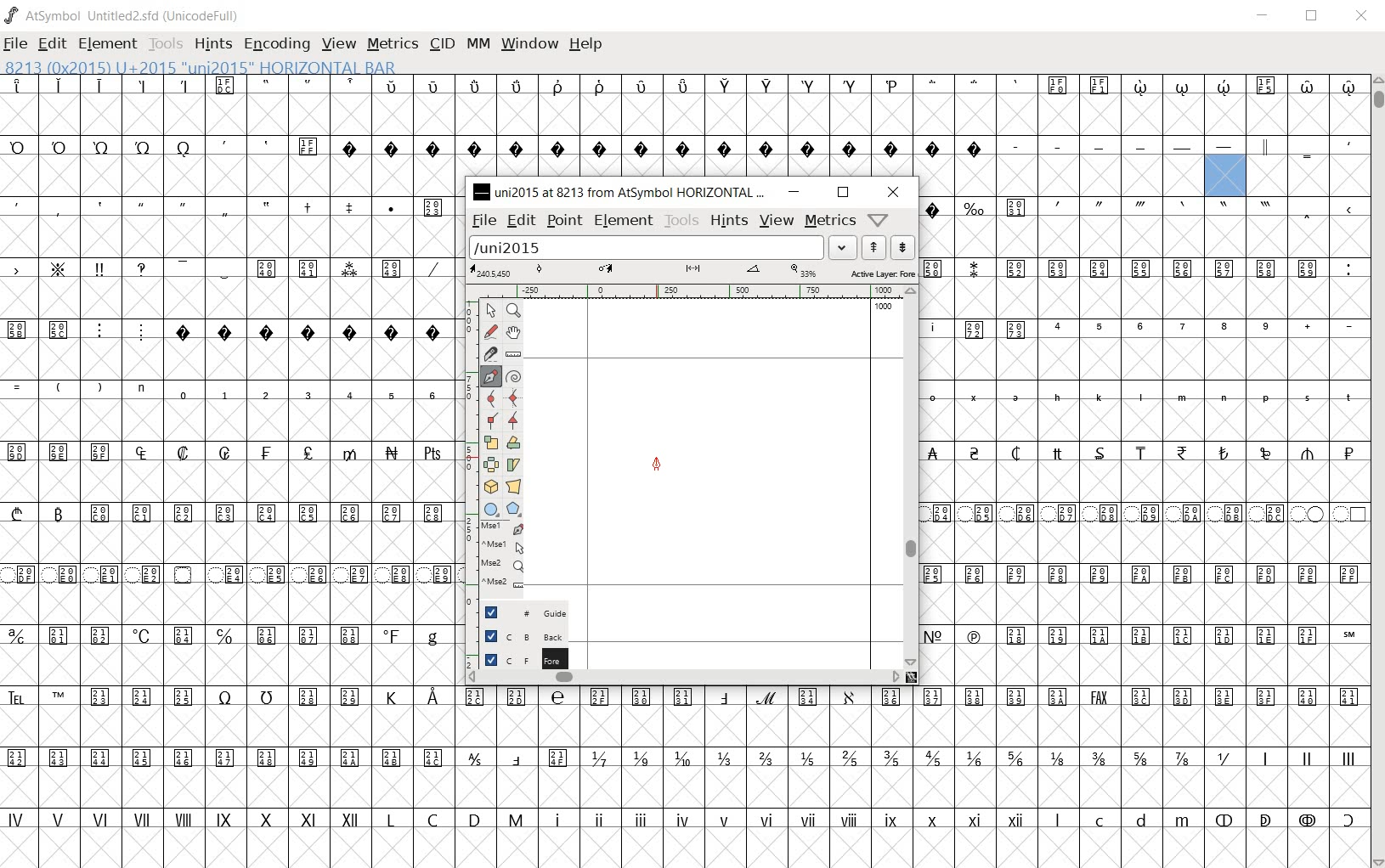 This screenshot has height=868, width=1385. I want to click on MM, so click(479, 45).